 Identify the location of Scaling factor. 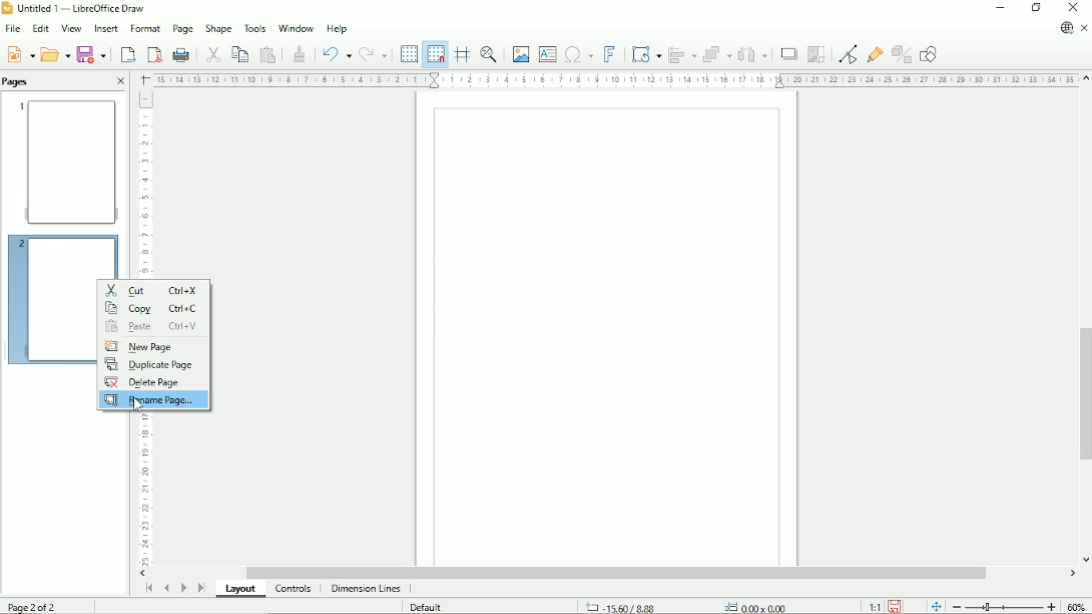
(874, 606).